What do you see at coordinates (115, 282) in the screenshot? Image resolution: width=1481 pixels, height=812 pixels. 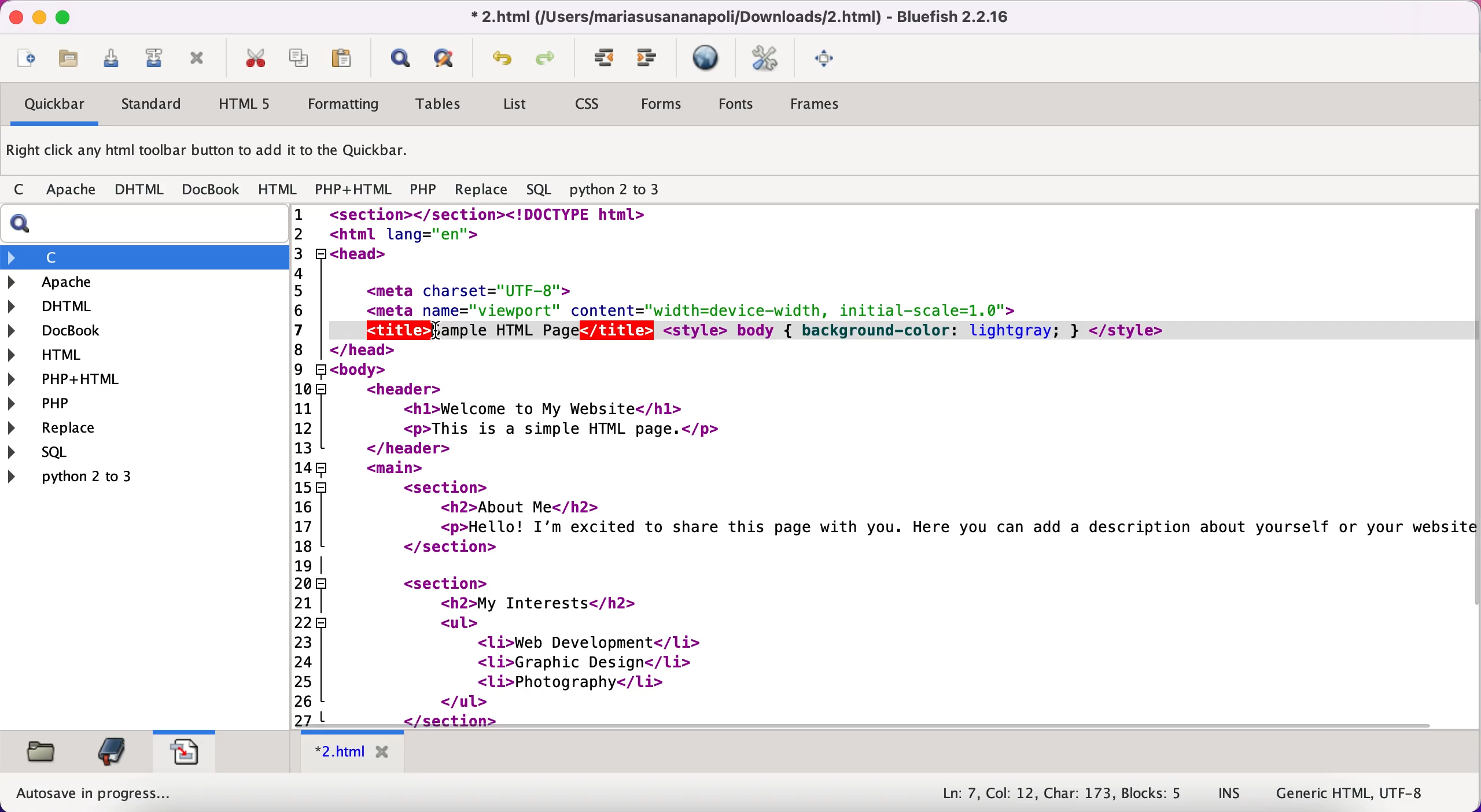 I see `apache` at bounding box center [115, 282].